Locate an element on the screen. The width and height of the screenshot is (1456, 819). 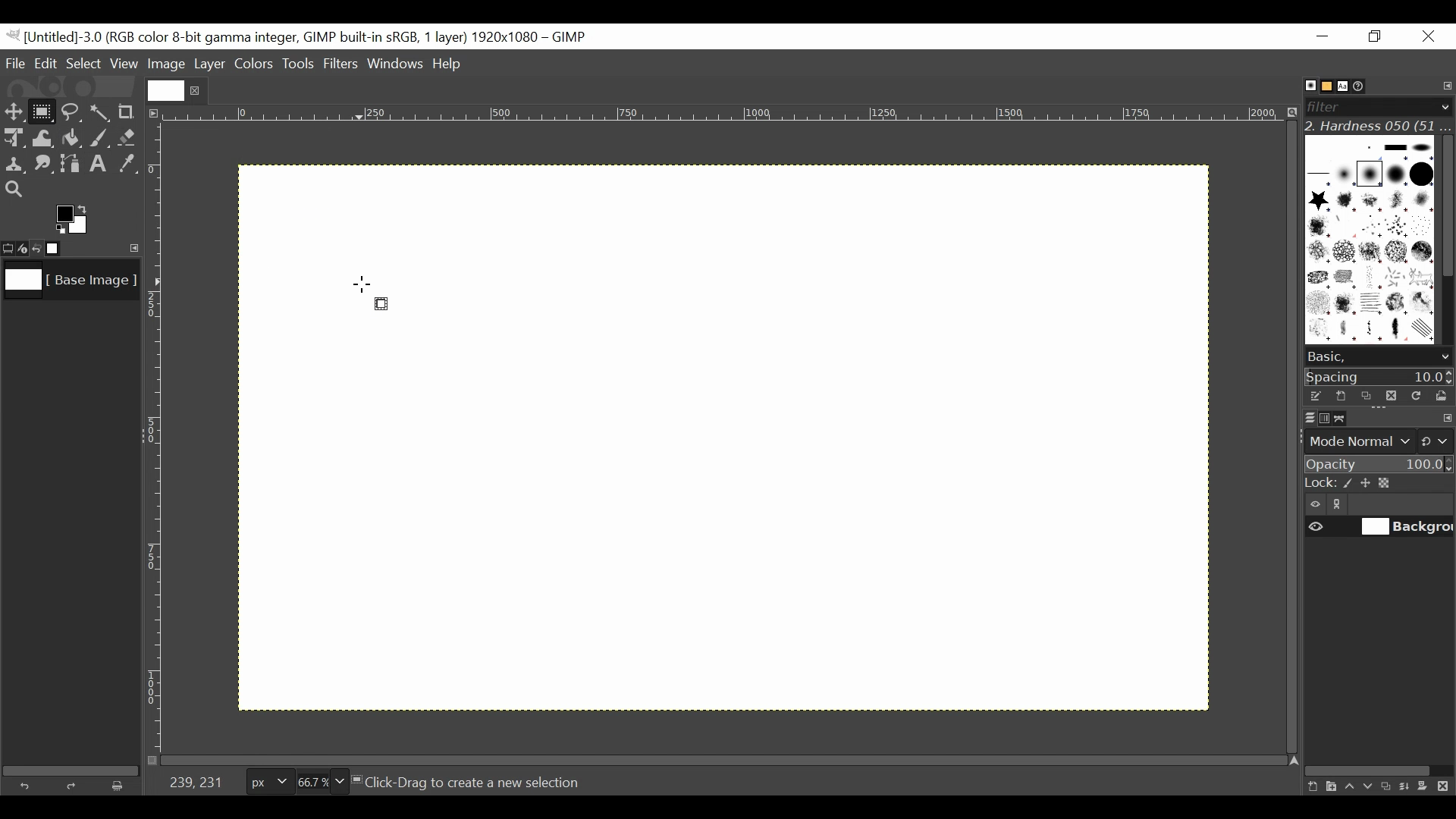
Cursor is located at coordinates (361, 283).